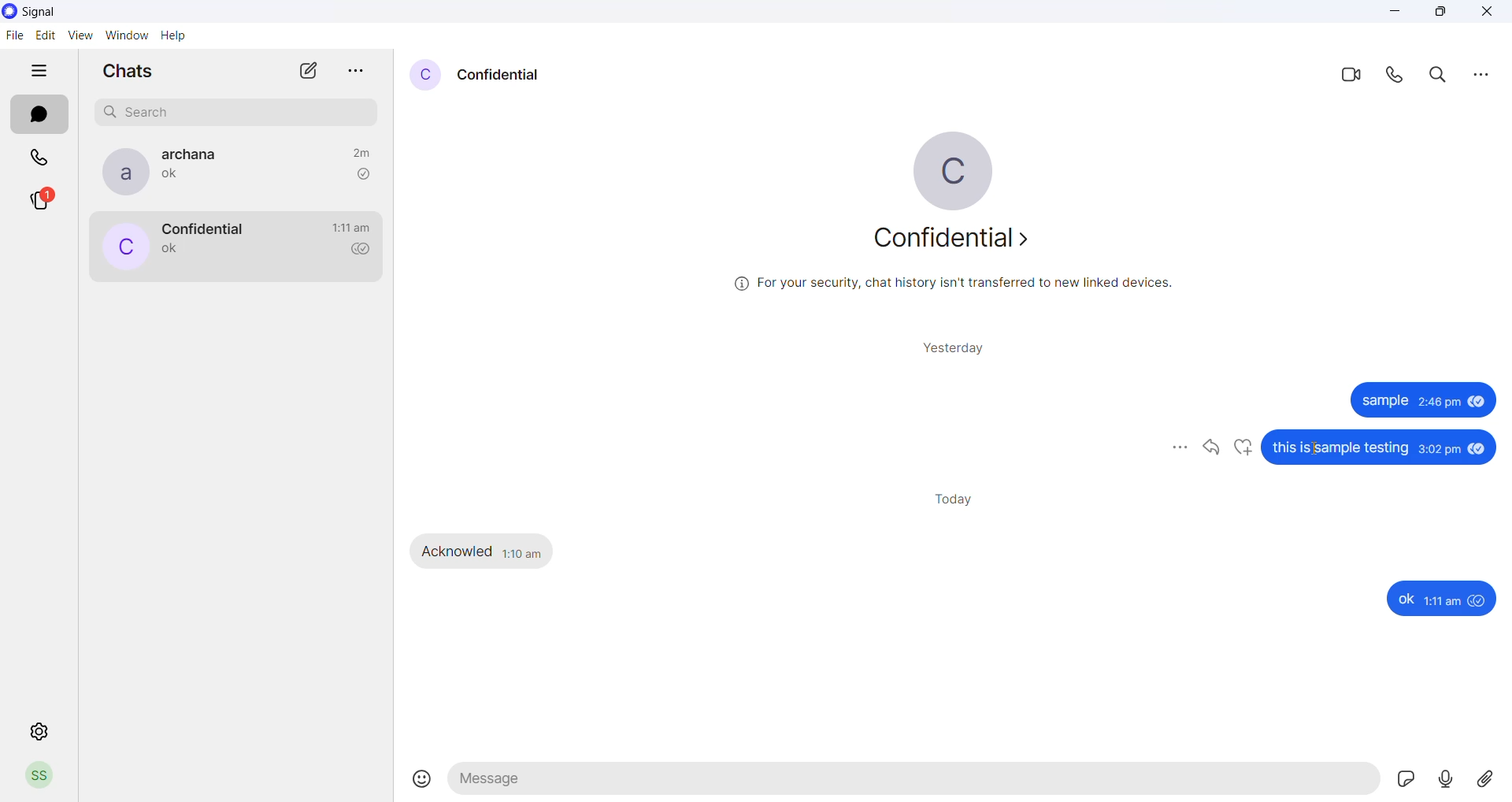 The height and width of the screenshot is (802, 1512). I want to click on 3:02 pm, so click(1440, 451).